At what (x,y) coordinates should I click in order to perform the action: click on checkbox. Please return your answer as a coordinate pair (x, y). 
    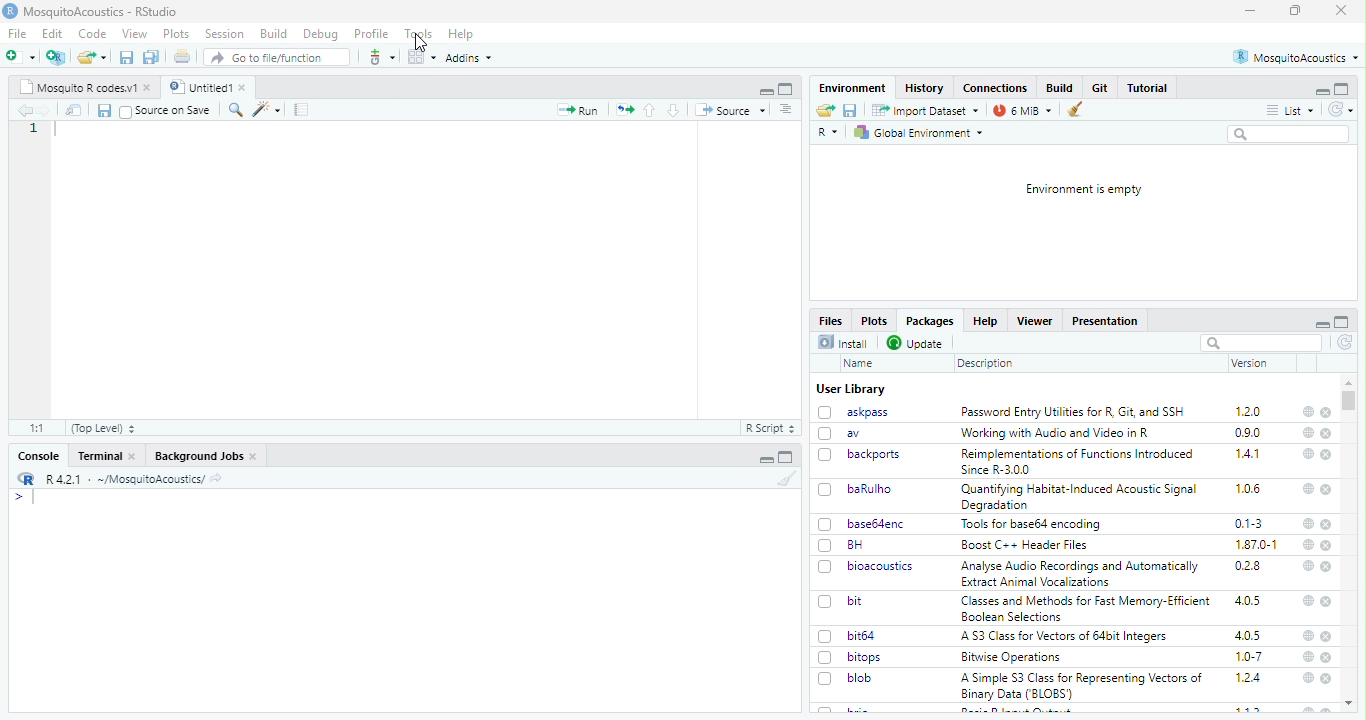
    Looking at the image, I should click on (826, 490).